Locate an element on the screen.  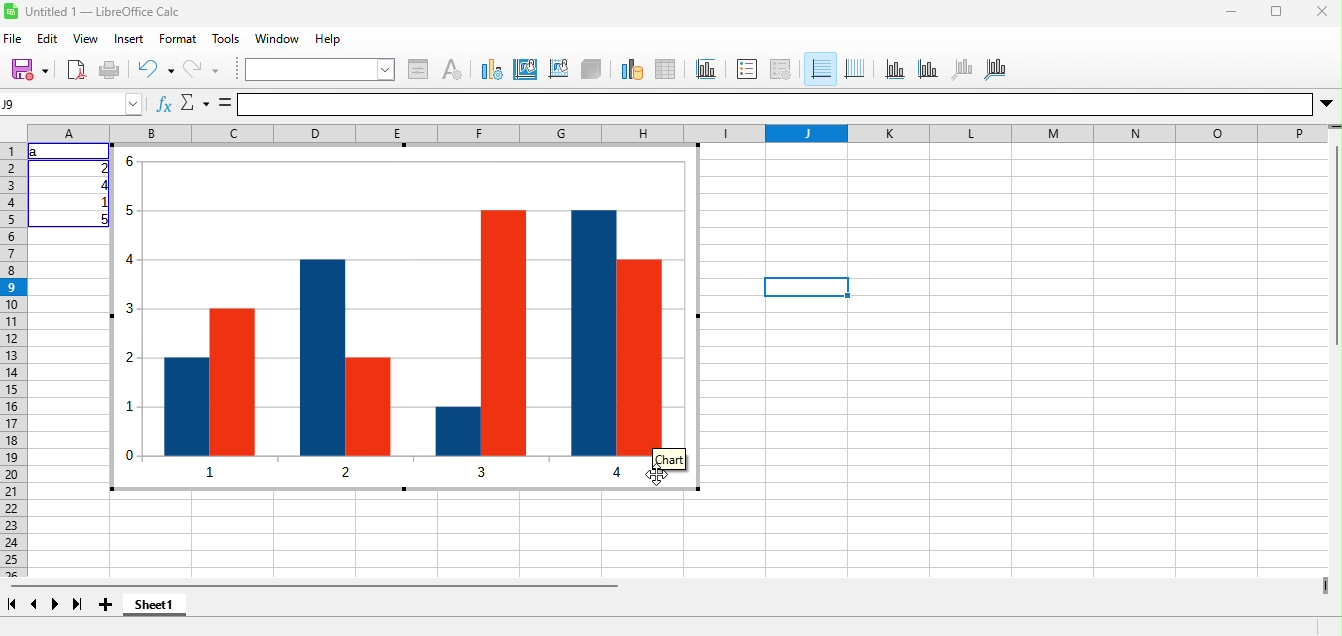
undo is located at coordinates (155, 71).